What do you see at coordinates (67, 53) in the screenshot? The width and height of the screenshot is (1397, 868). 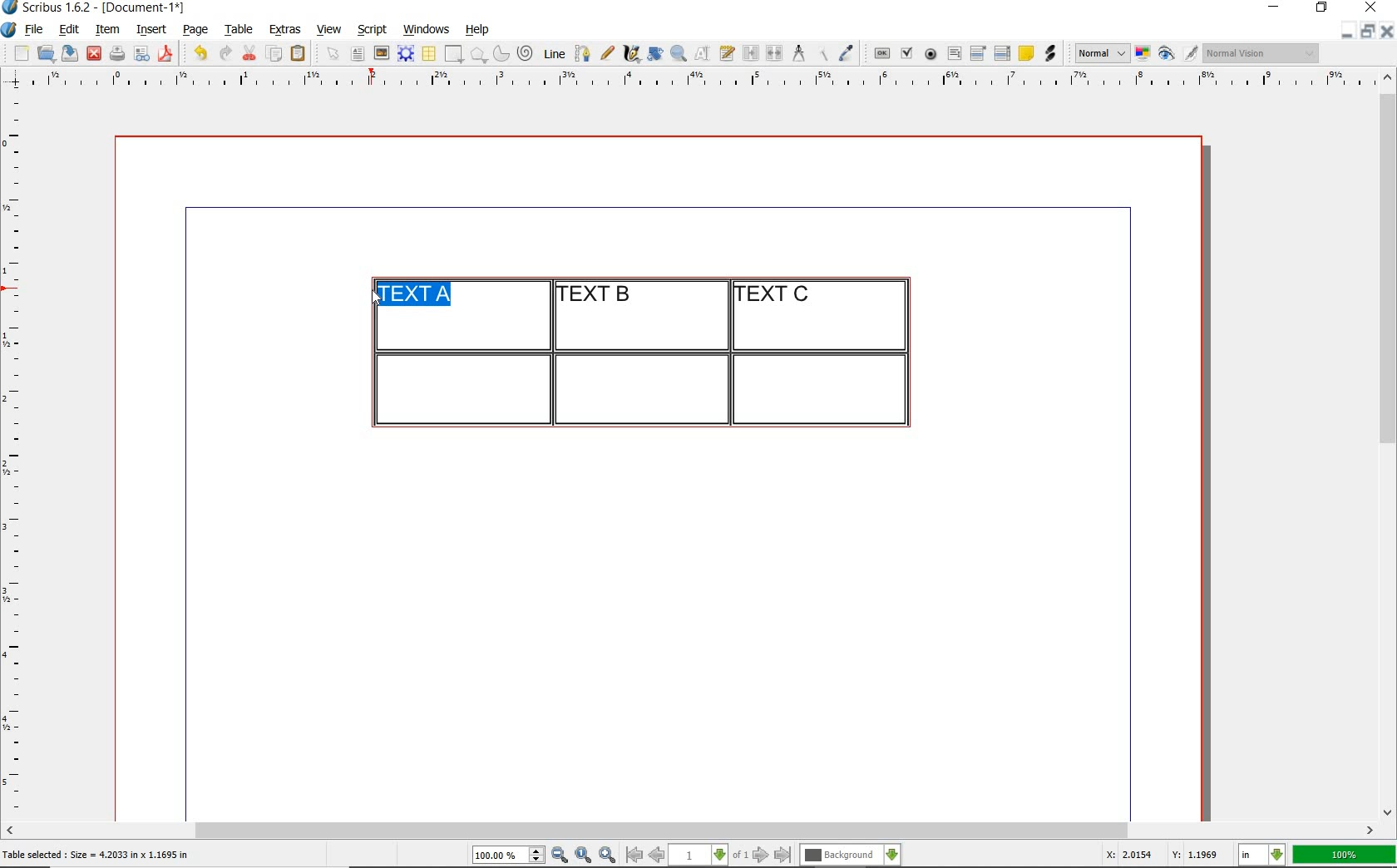 I see `save` at bounding box center [67, 53].